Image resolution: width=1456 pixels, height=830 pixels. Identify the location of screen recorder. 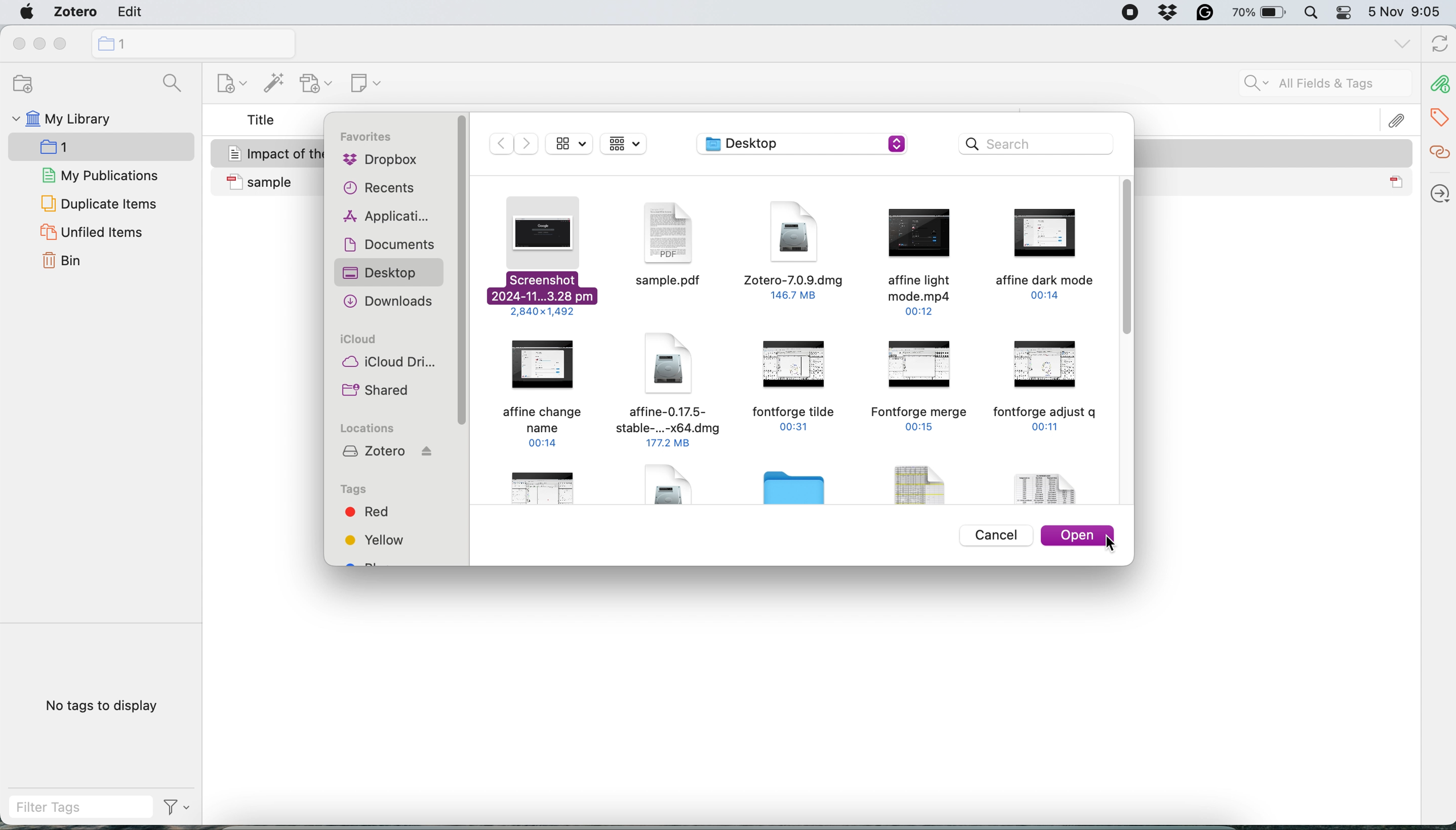
(1121, 14).